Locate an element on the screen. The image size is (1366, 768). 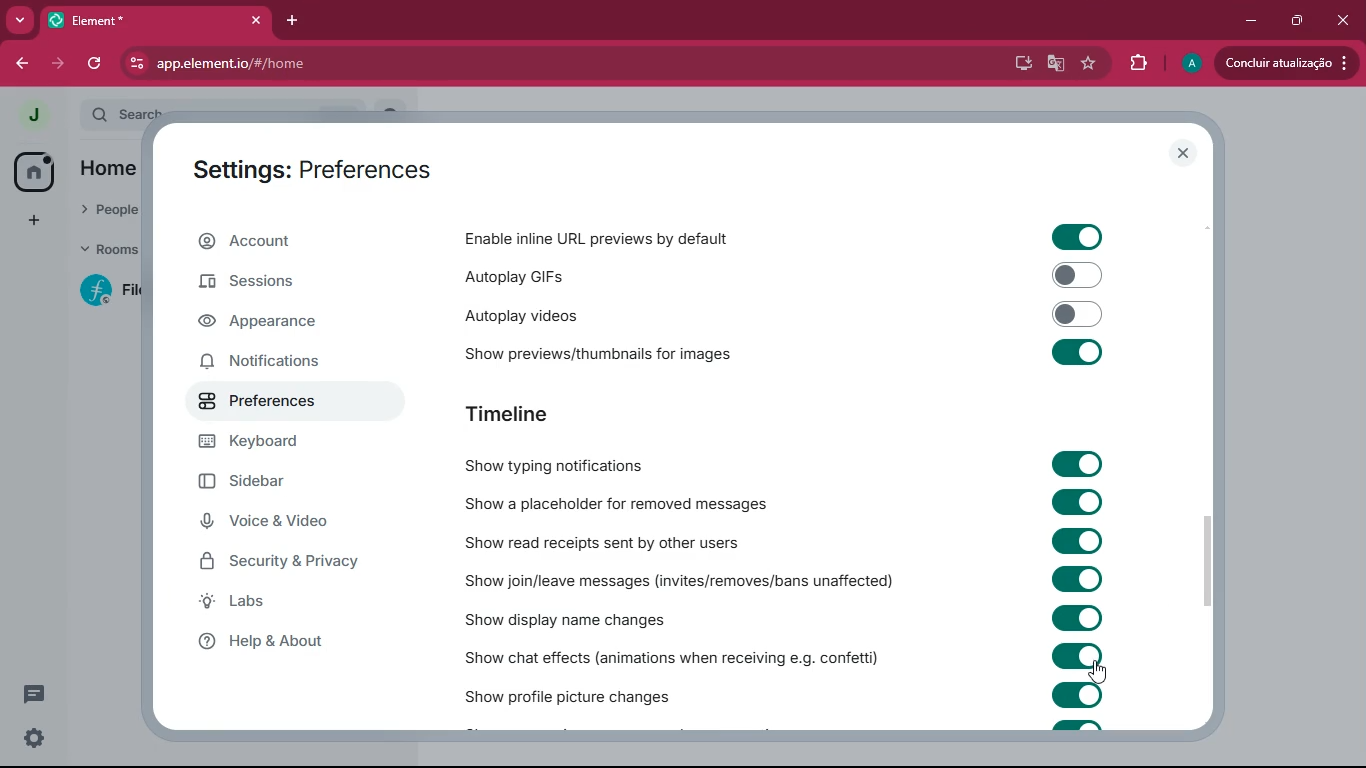
toggle on/off is located at coordinates (1079, 502).